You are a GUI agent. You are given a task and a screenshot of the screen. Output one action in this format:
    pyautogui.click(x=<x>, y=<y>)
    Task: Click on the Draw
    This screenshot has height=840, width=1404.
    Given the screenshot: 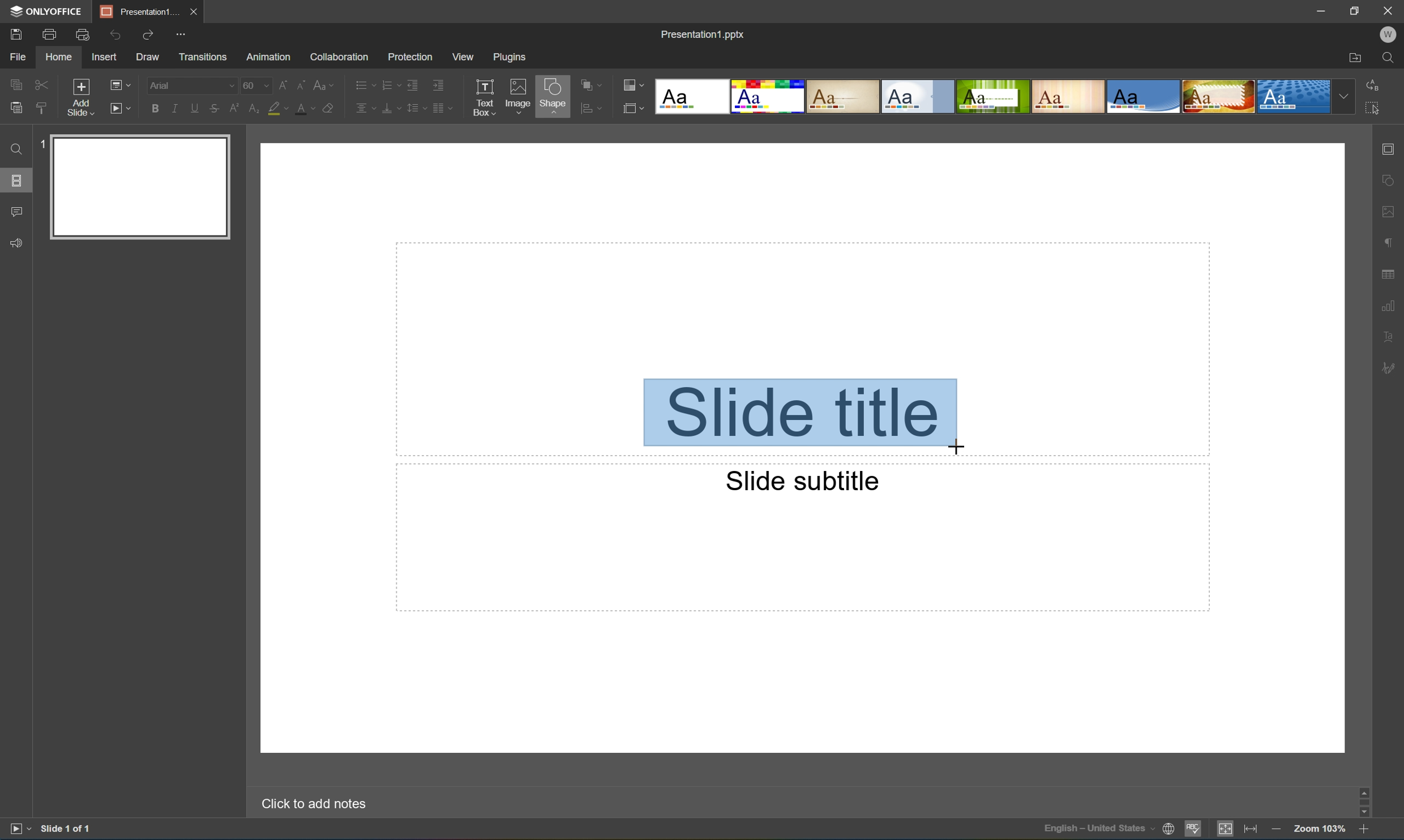 What is the action you would take?
    pyautogui.click(x=149, y=58)
    